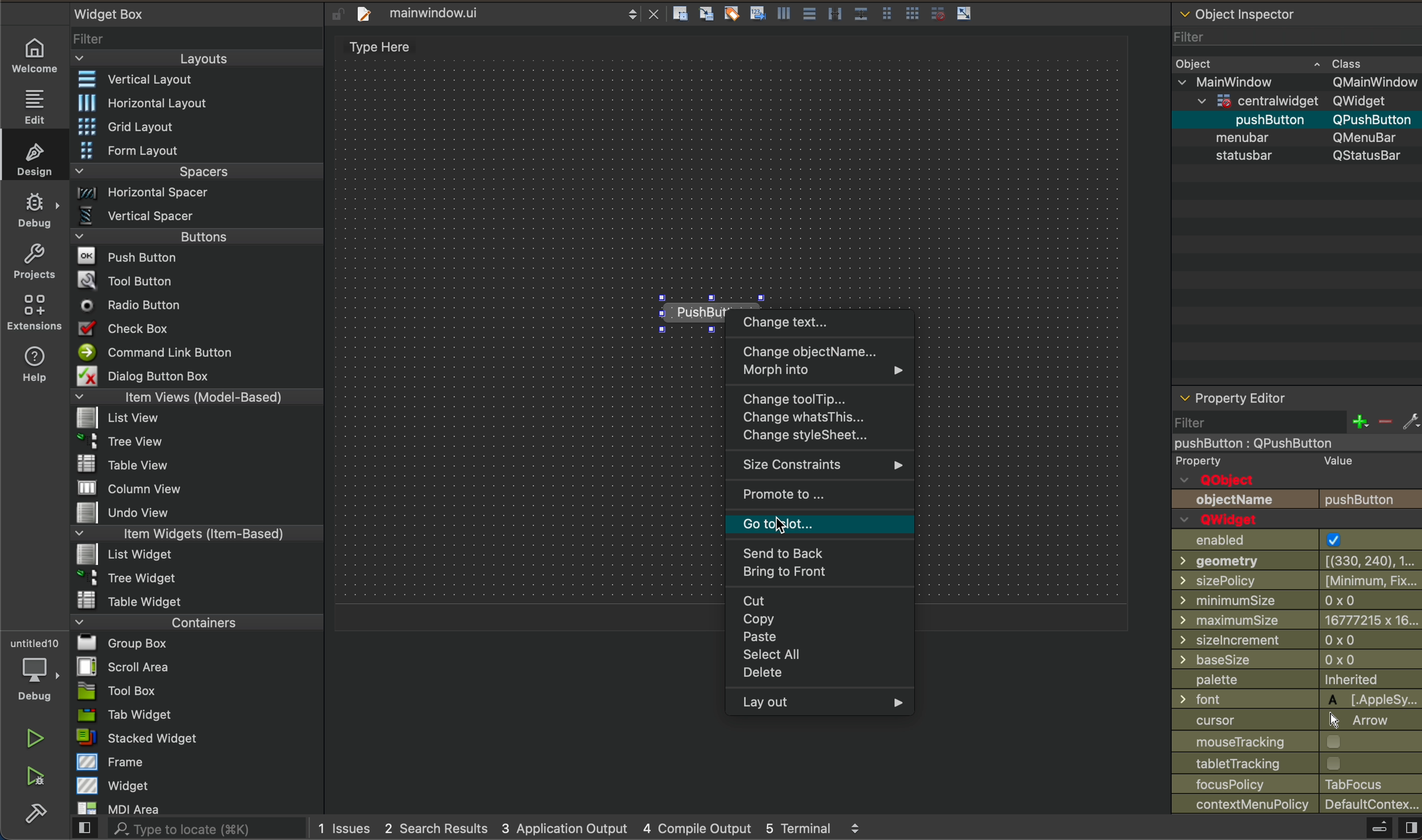 The height and width of the screenshot is (840, 1422). What do you see at coordinates (1297, 805) in the screenshot?
I see `context policy` at bounding box center [1297, 805].